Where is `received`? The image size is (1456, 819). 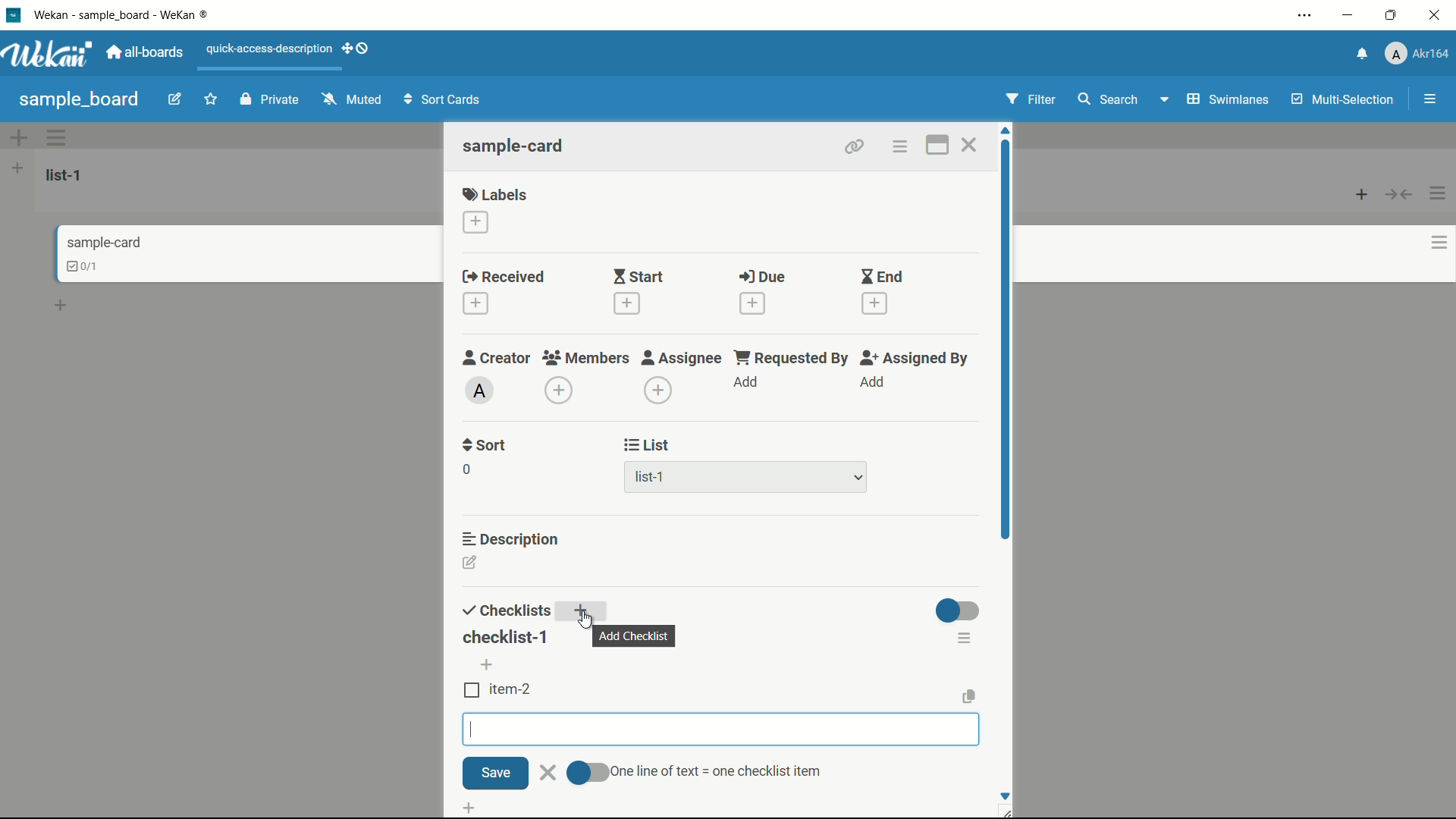 received is located at coordinates (504, 278).